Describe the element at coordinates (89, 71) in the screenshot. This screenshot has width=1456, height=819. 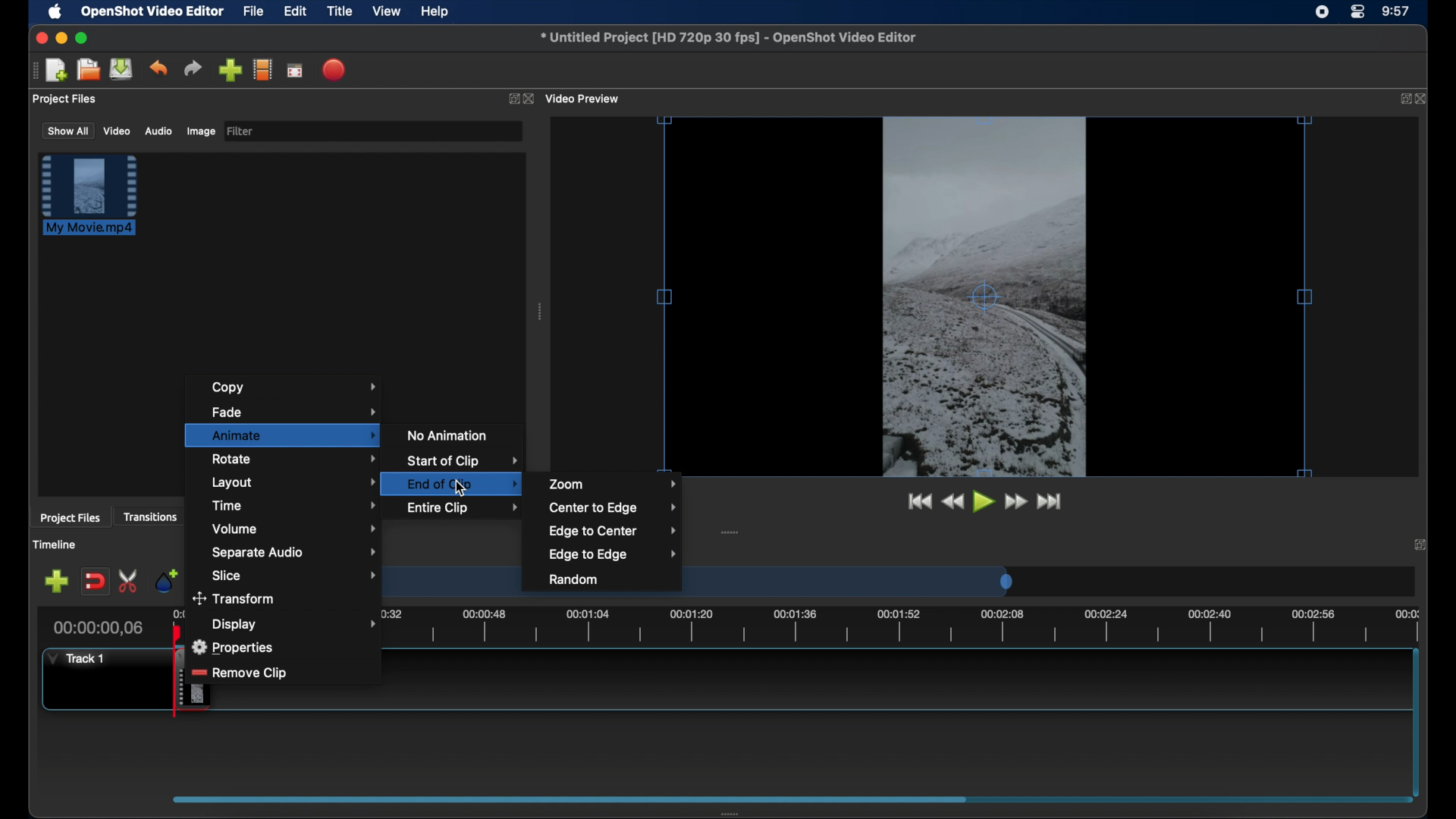
I see `open files` at that location.